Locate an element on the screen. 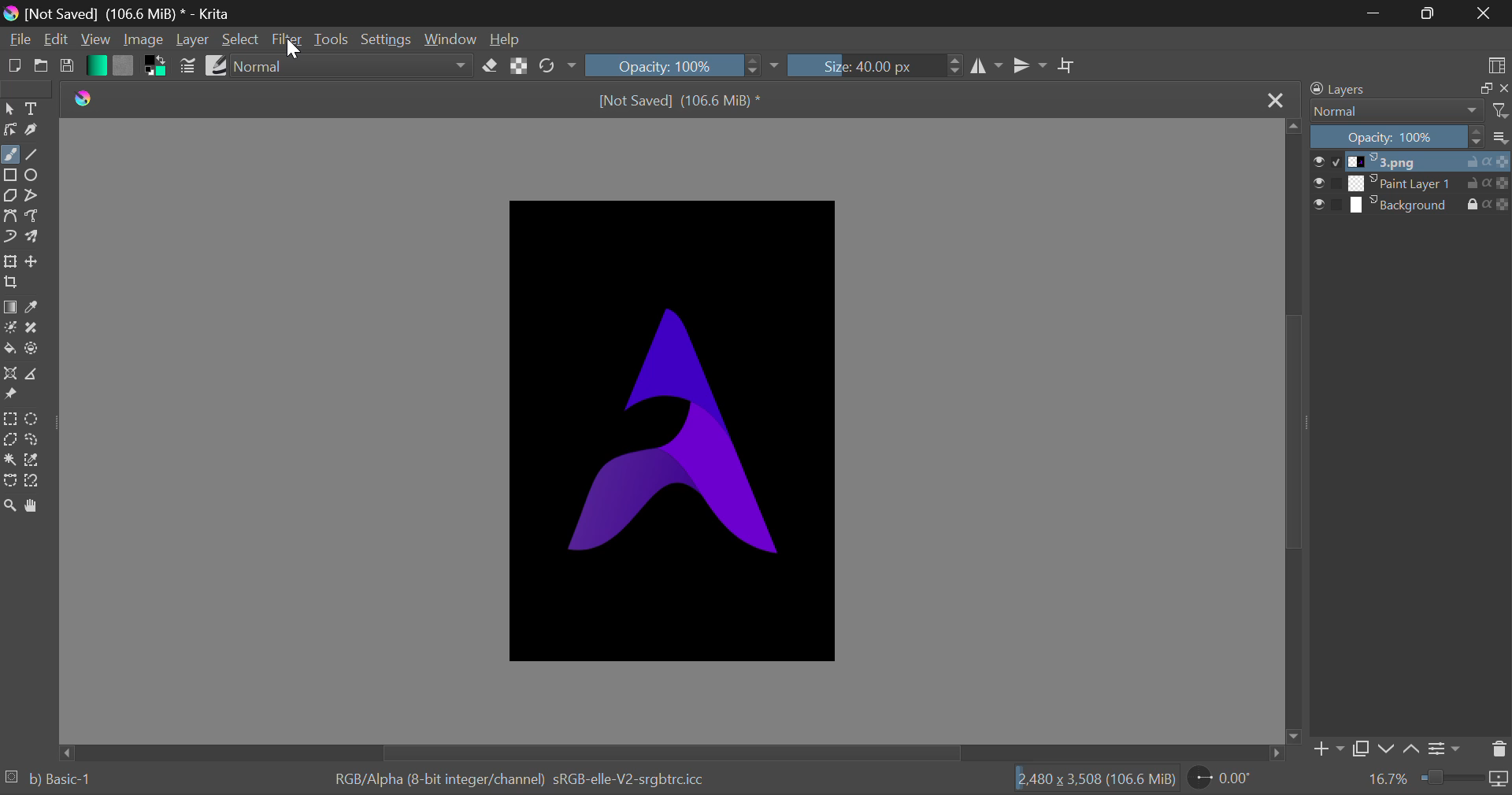 Image resolution: width=1512 pixels, height=795 pixels. Transform Layer is located at coordinates (10, 262).